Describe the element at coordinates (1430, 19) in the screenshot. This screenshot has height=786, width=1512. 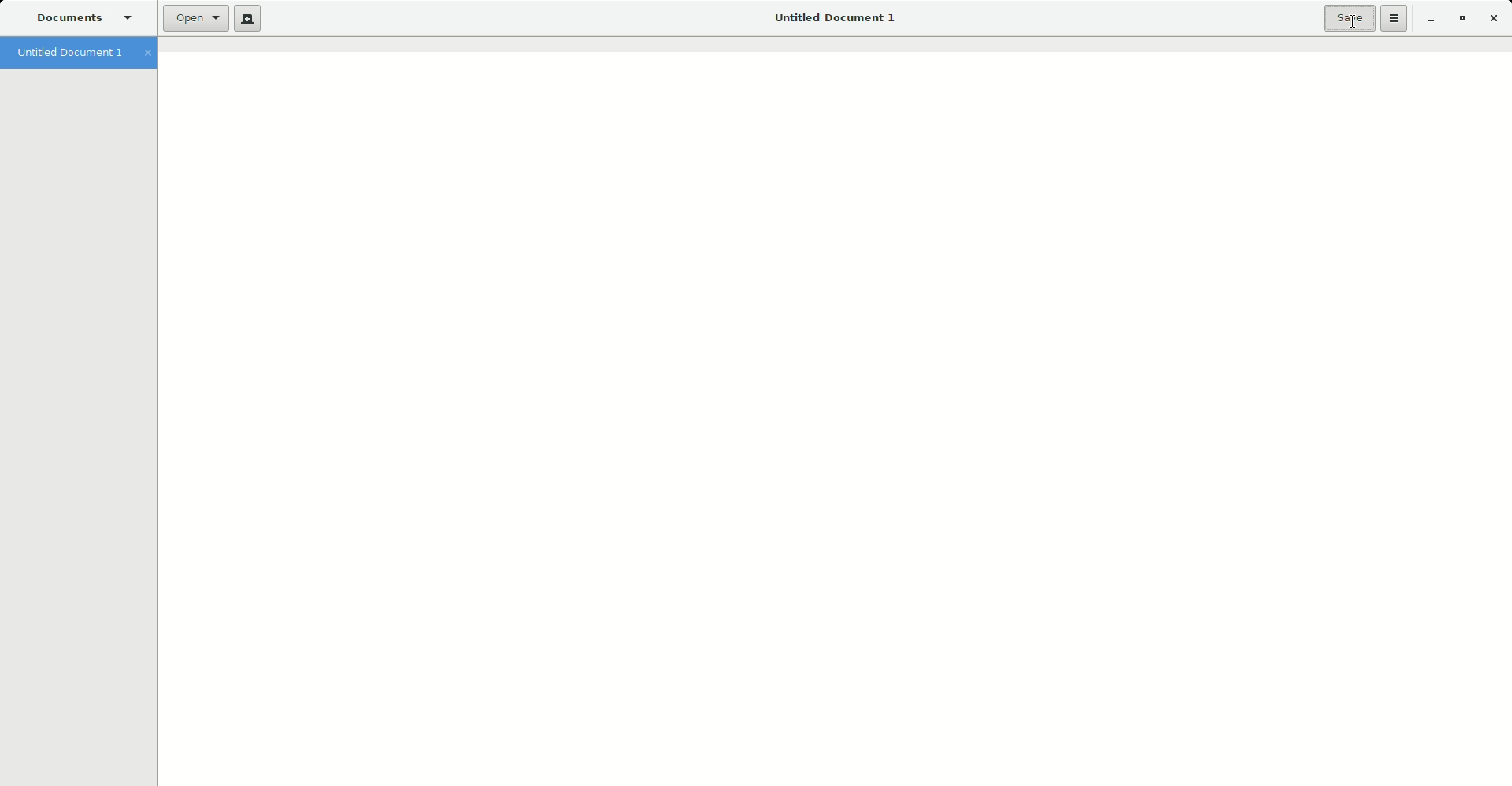
I see `Minimize` at that location.